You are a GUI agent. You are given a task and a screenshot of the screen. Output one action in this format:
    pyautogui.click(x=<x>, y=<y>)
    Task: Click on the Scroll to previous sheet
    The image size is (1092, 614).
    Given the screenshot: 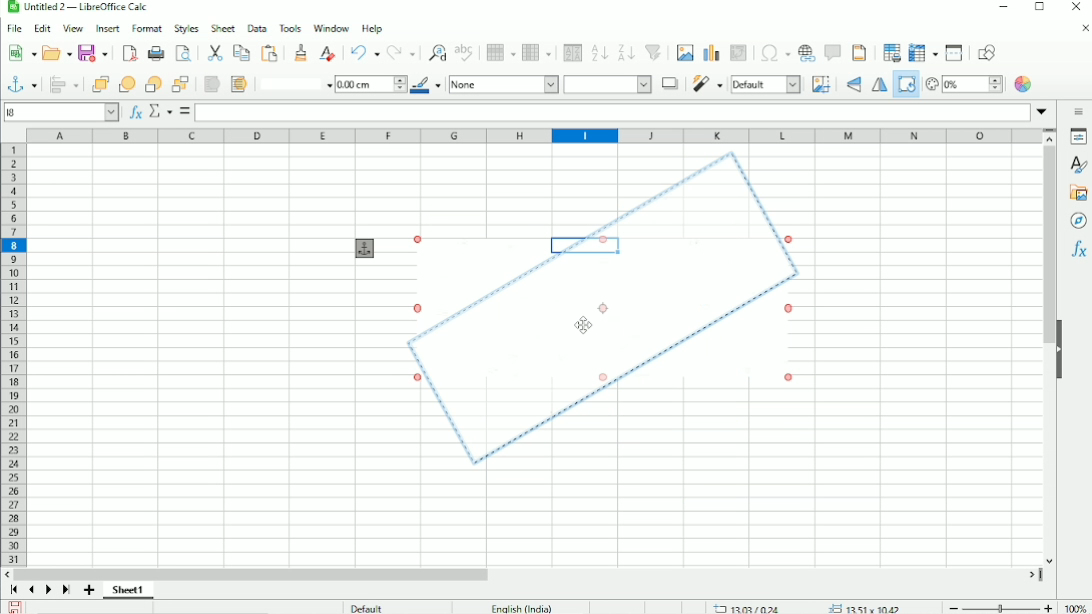 What is the action you would take?
    pyautogui.click(x=30, y=590)
    